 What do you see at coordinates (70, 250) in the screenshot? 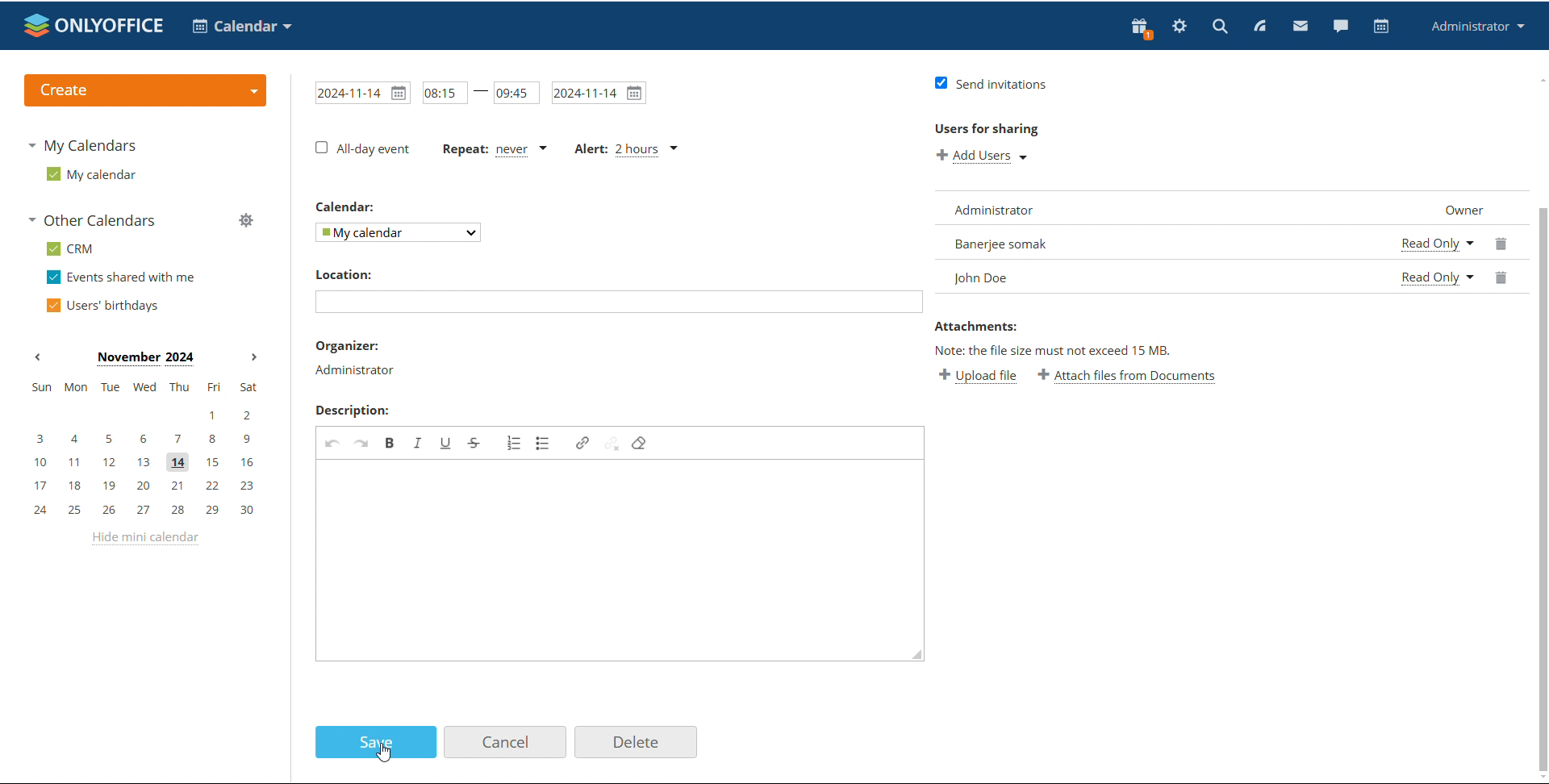
I see `crm` at bounding box center [70, 250].